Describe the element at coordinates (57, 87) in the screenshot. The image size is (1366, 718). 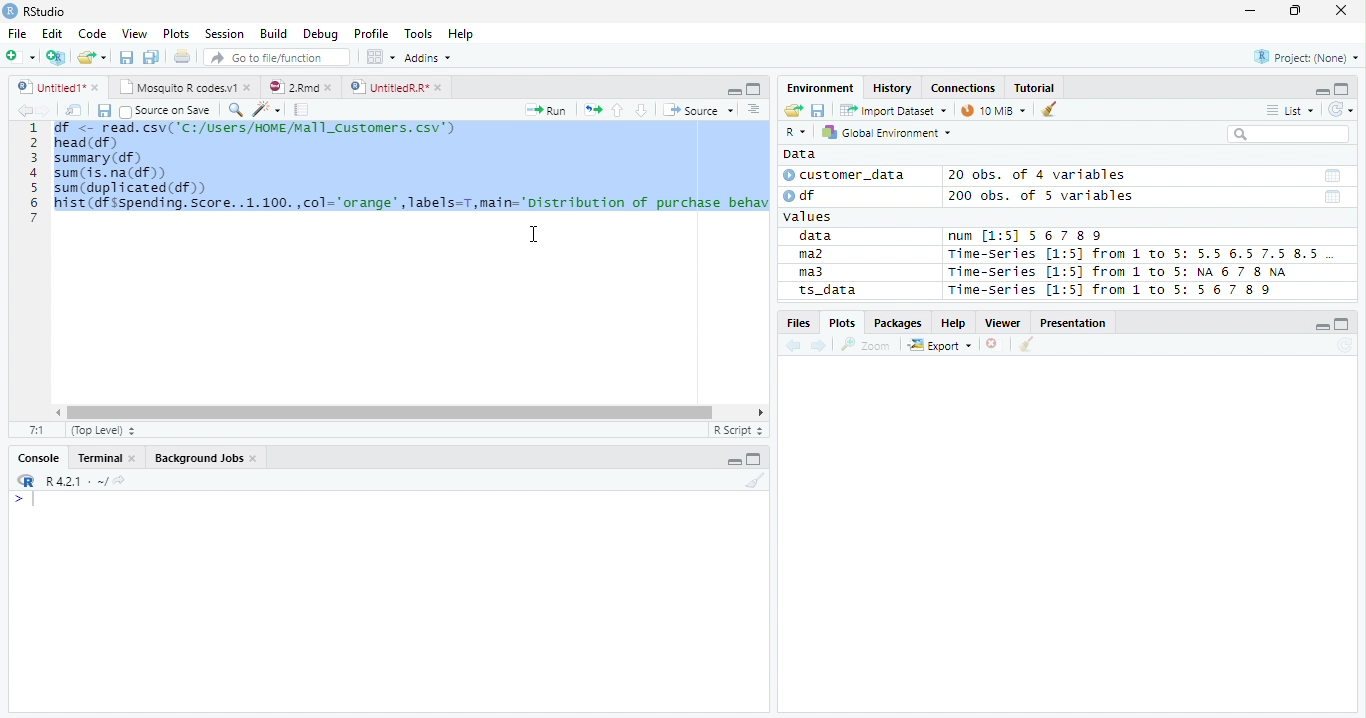
I see `Untitiled1` at that location.